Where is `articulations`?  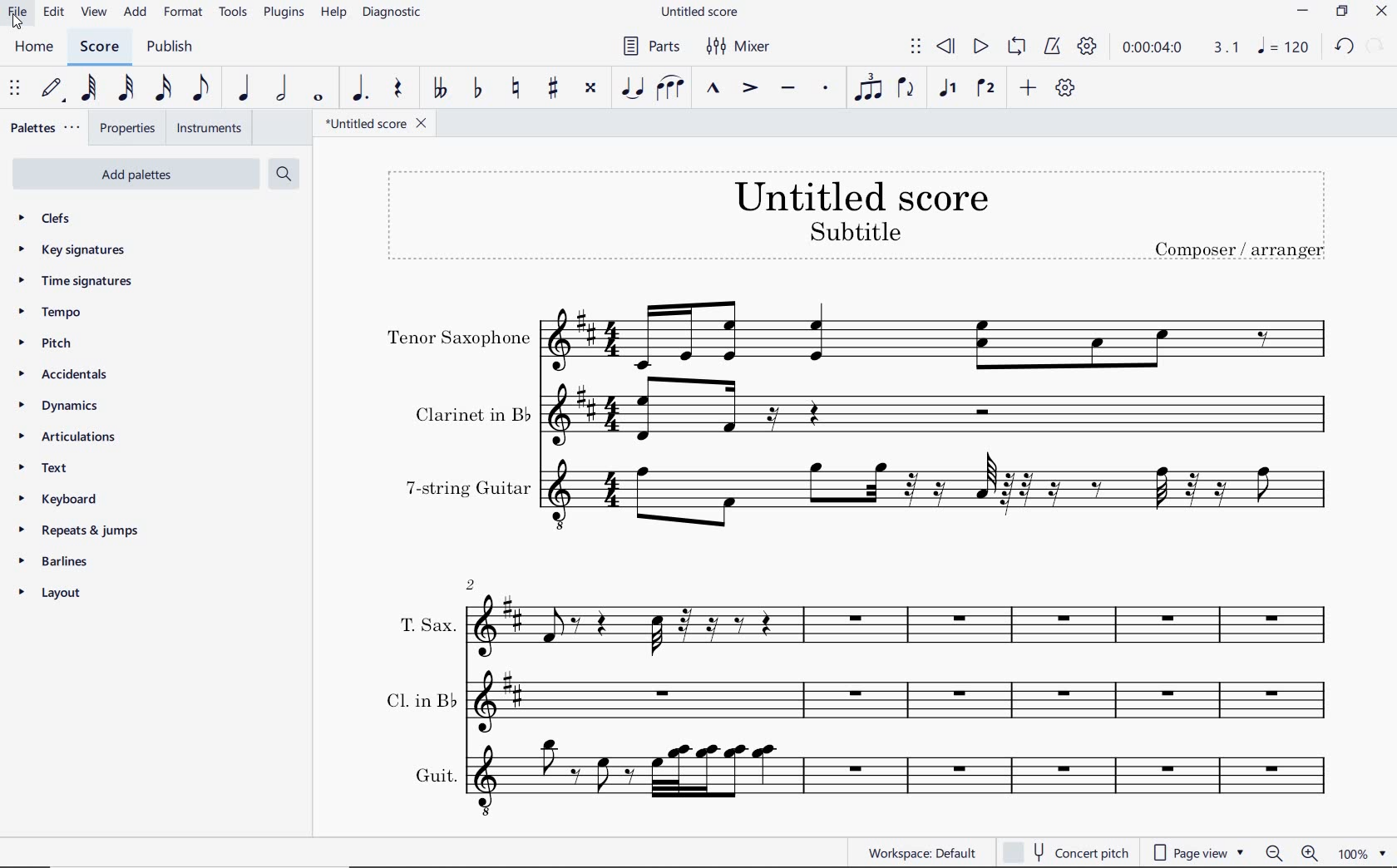
articulations is located at coordinates (71, 437).